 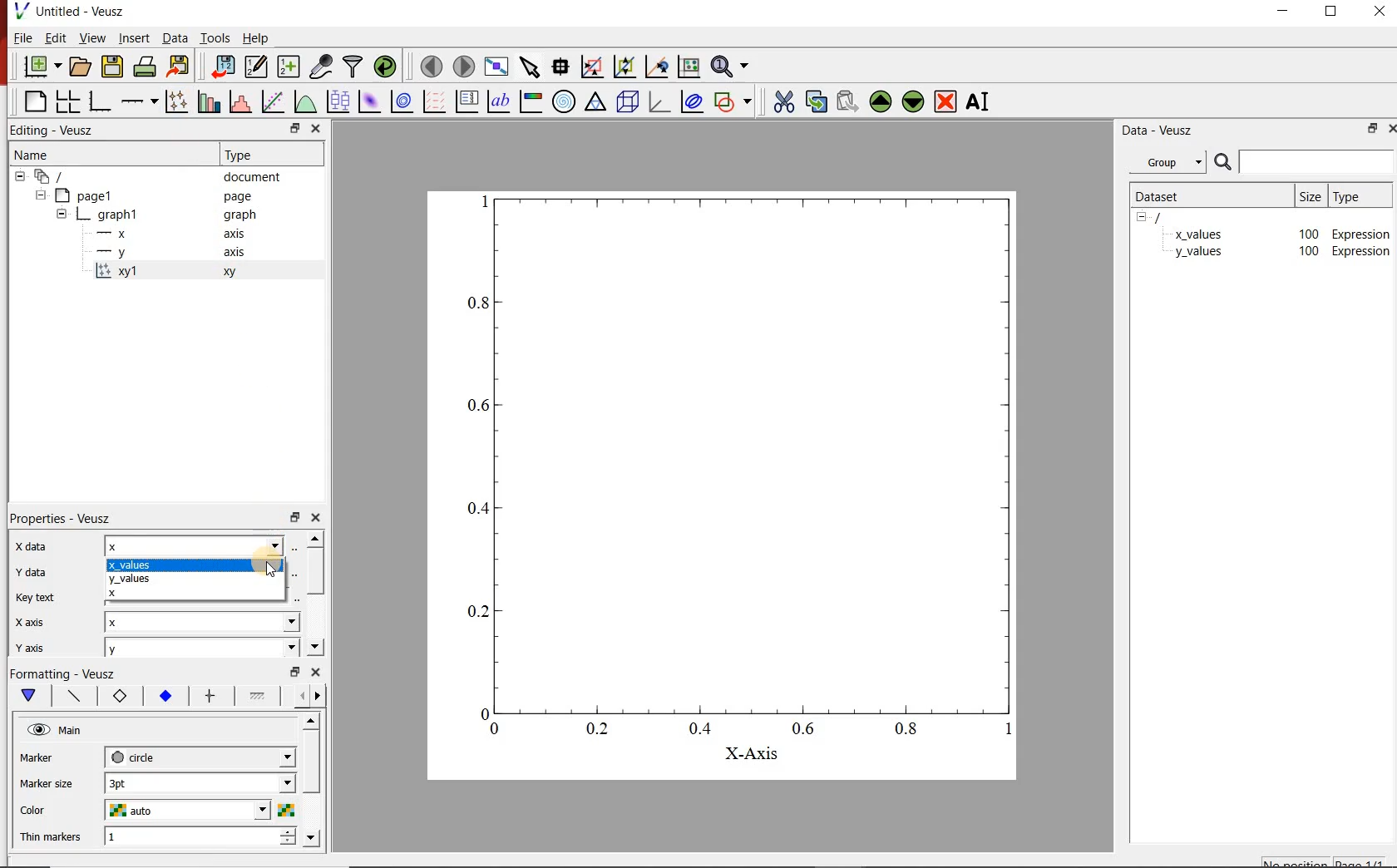 What do you see at coordinates (660, 104) in the screenshot?
I see `3d graph` at bounding box center [660, 104].